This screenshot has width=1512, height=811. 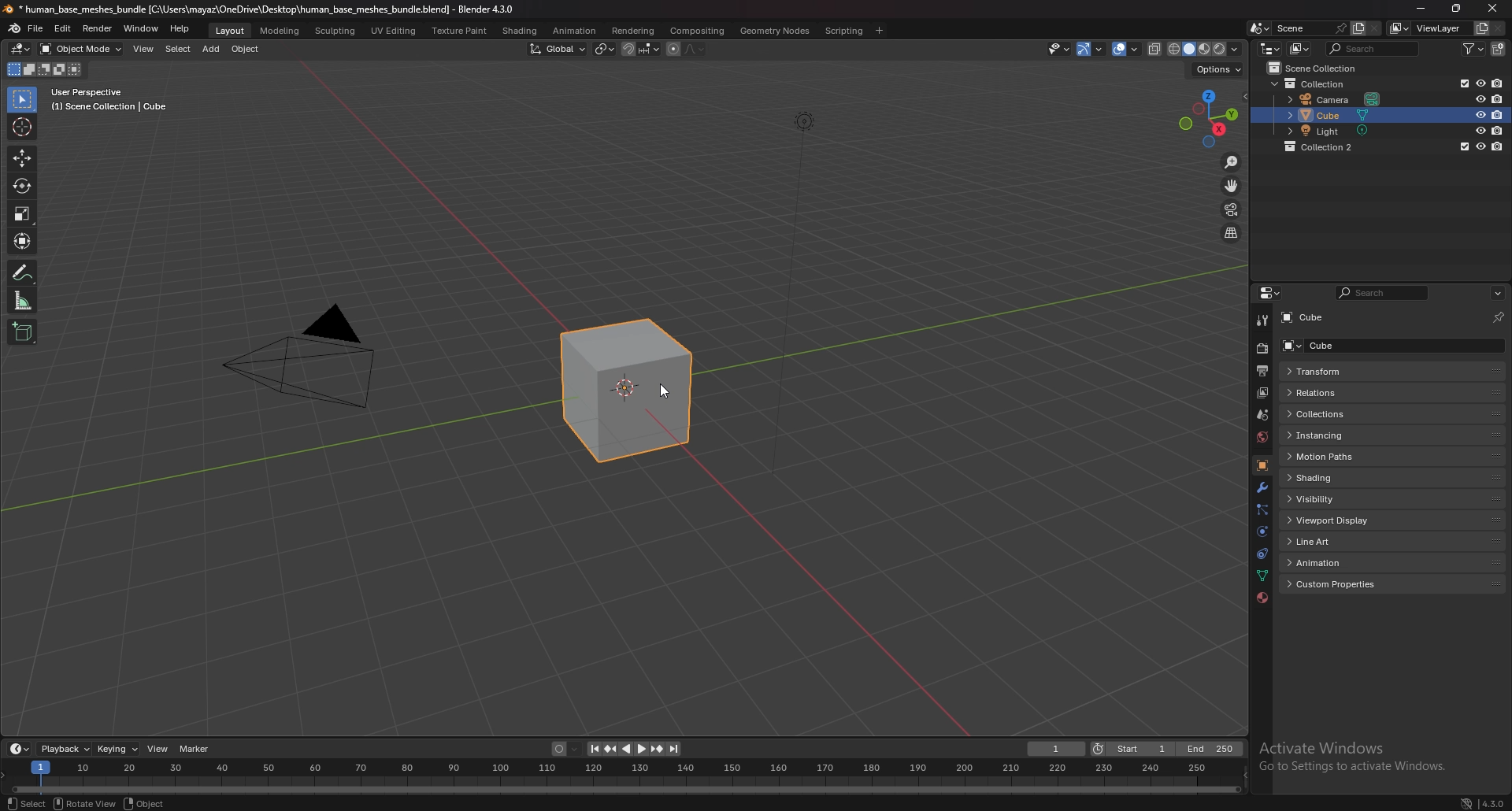 I want to click on hide in viewport, so click(x=1480, y=114).